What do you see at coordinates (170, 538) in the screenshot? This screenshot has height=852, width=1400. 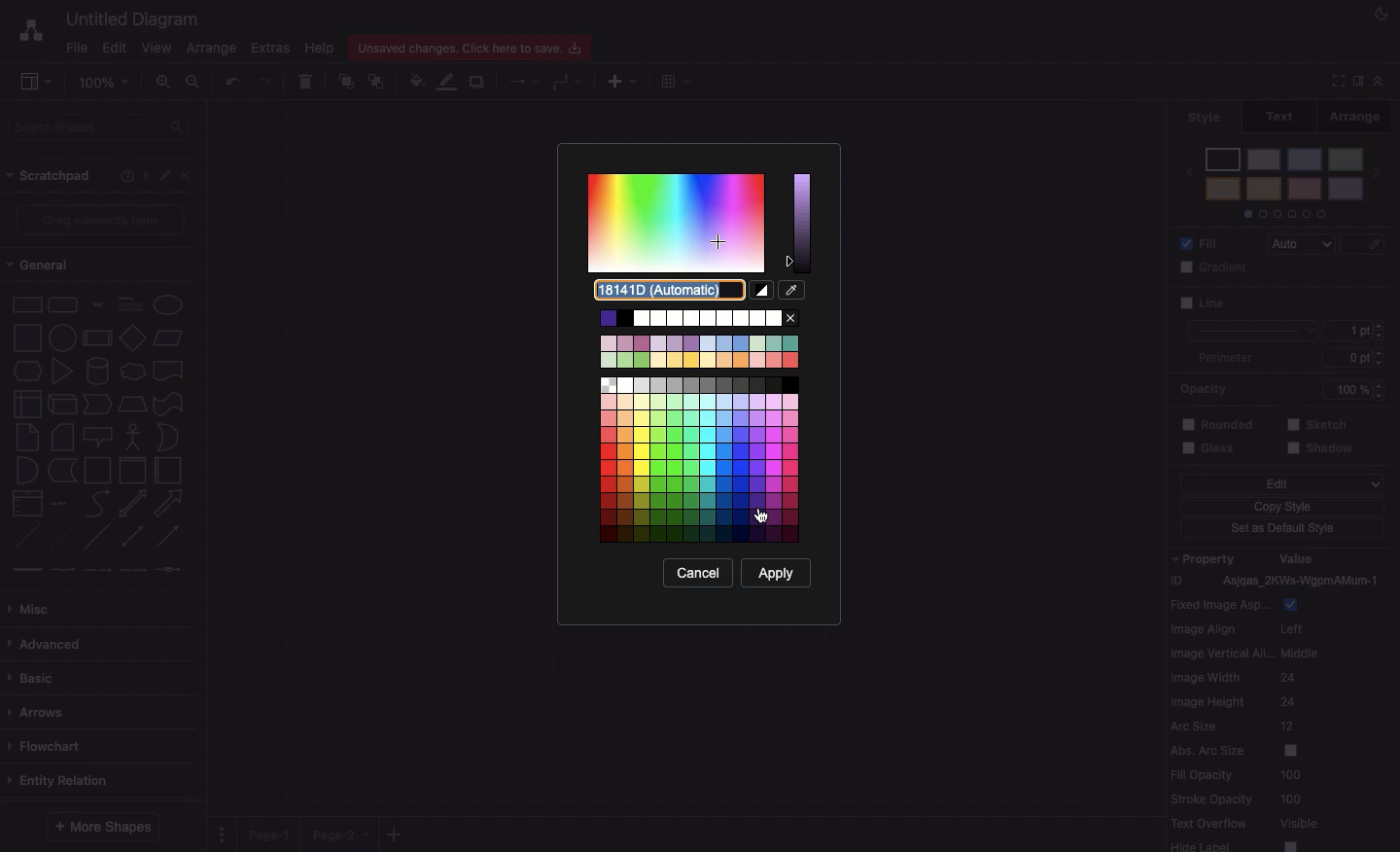 I see `directional connector` at bounding box center [170, 538].